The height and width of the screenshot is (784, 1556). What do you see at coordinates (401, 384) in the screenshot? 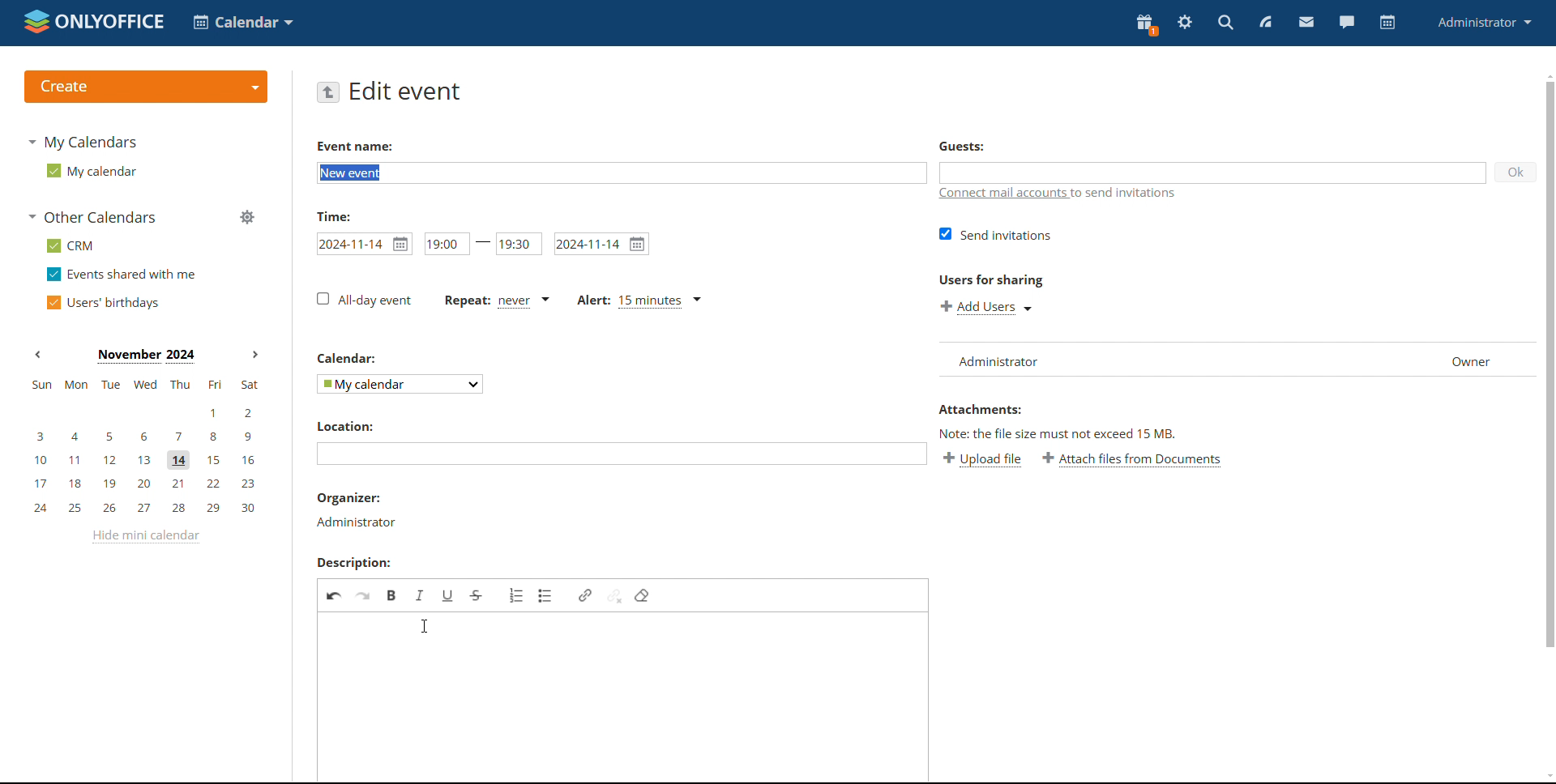
I see `select calendar` at bounding box center [401, 384].